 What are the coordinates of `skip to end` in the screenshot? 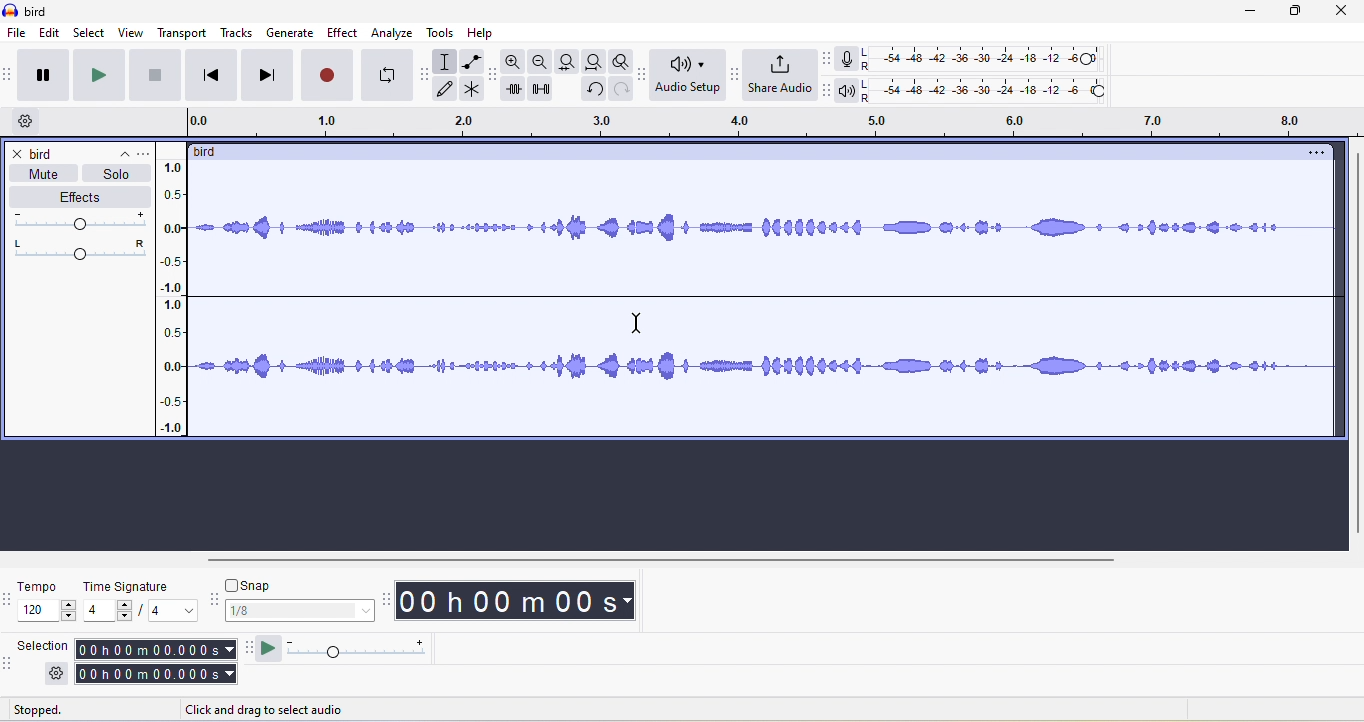 It's located at (268, 75).